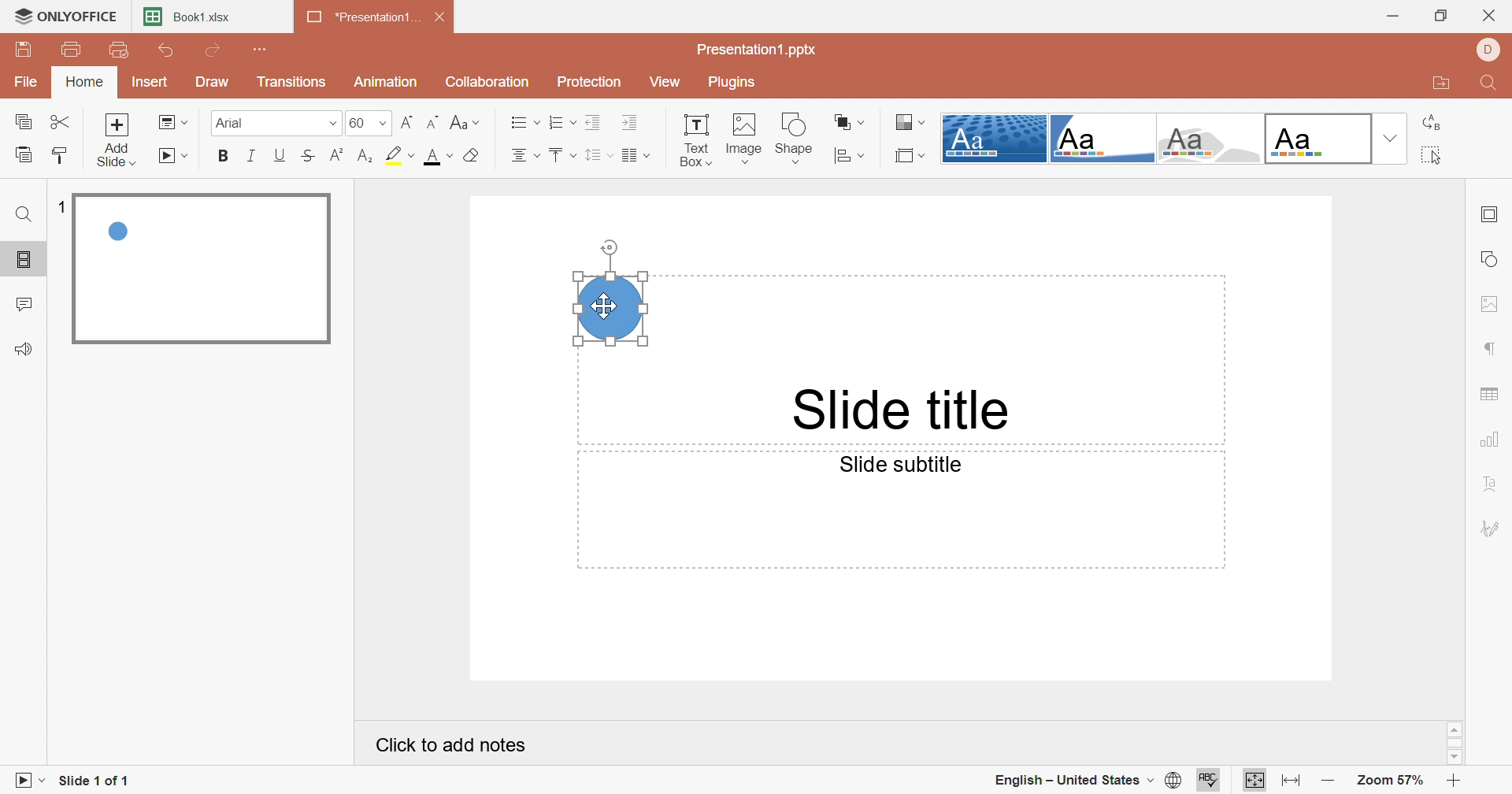 The image size is (1512, 794). Describe the element at coordinates (24, 306) in the screenshot. I see `Comments` at that location.